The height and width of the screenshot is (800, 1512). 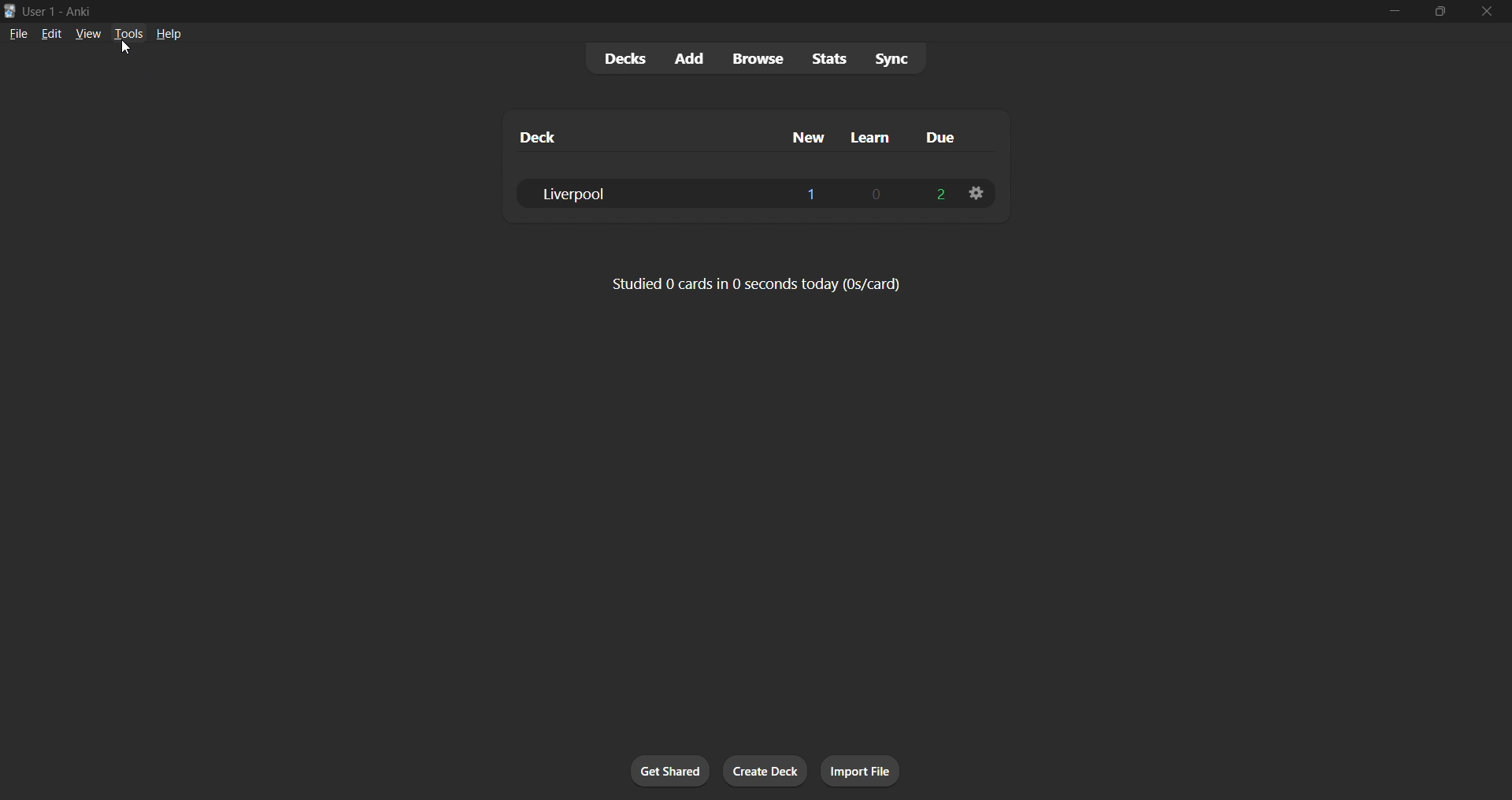 What do you see at coordinates (127, 48) in the screenshot?
I see `cursor` at bounding box center [127, 48].